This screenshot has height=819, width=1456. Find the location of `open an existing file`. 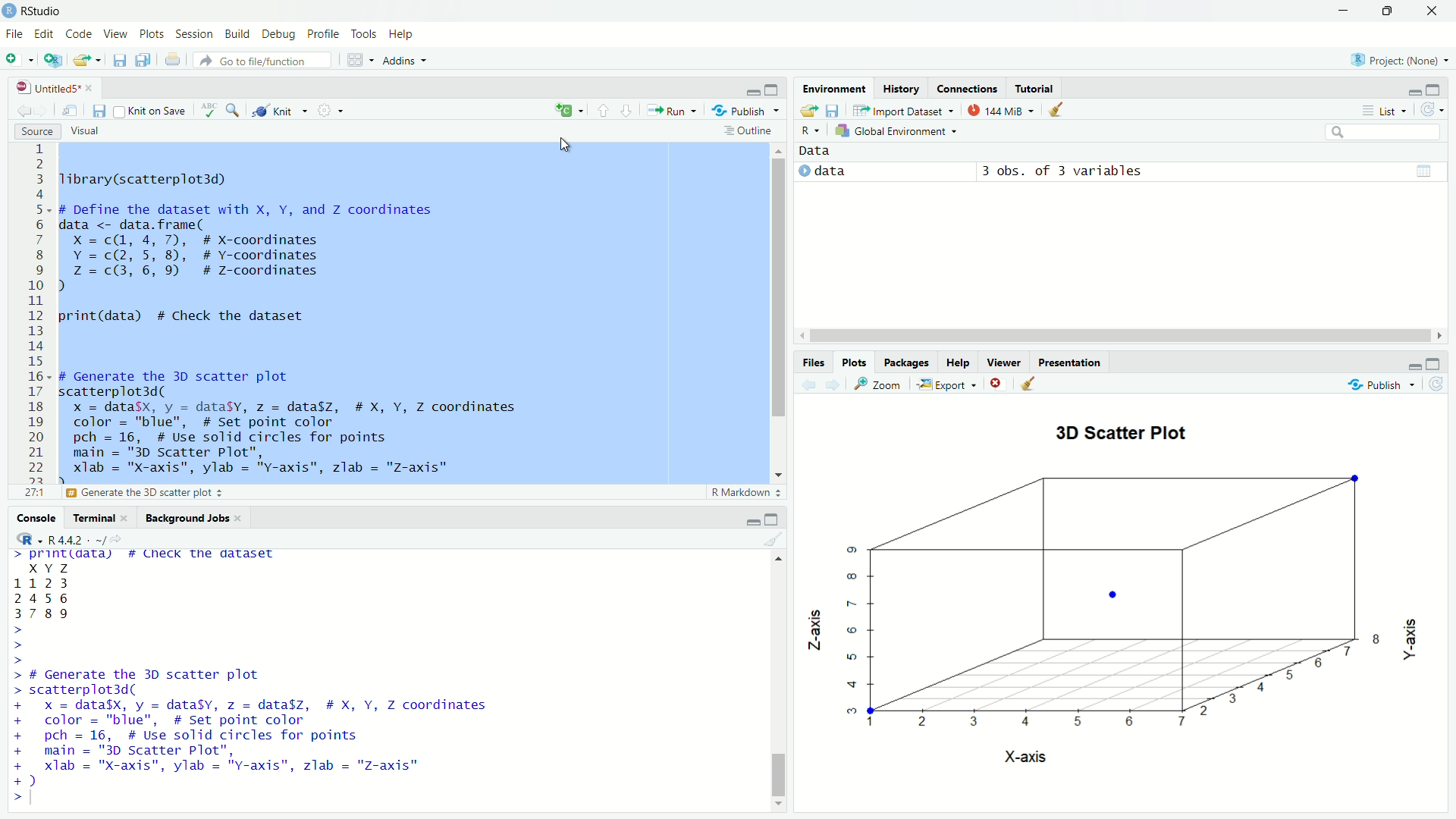

open an existing file is located at coordinates (89, 62).